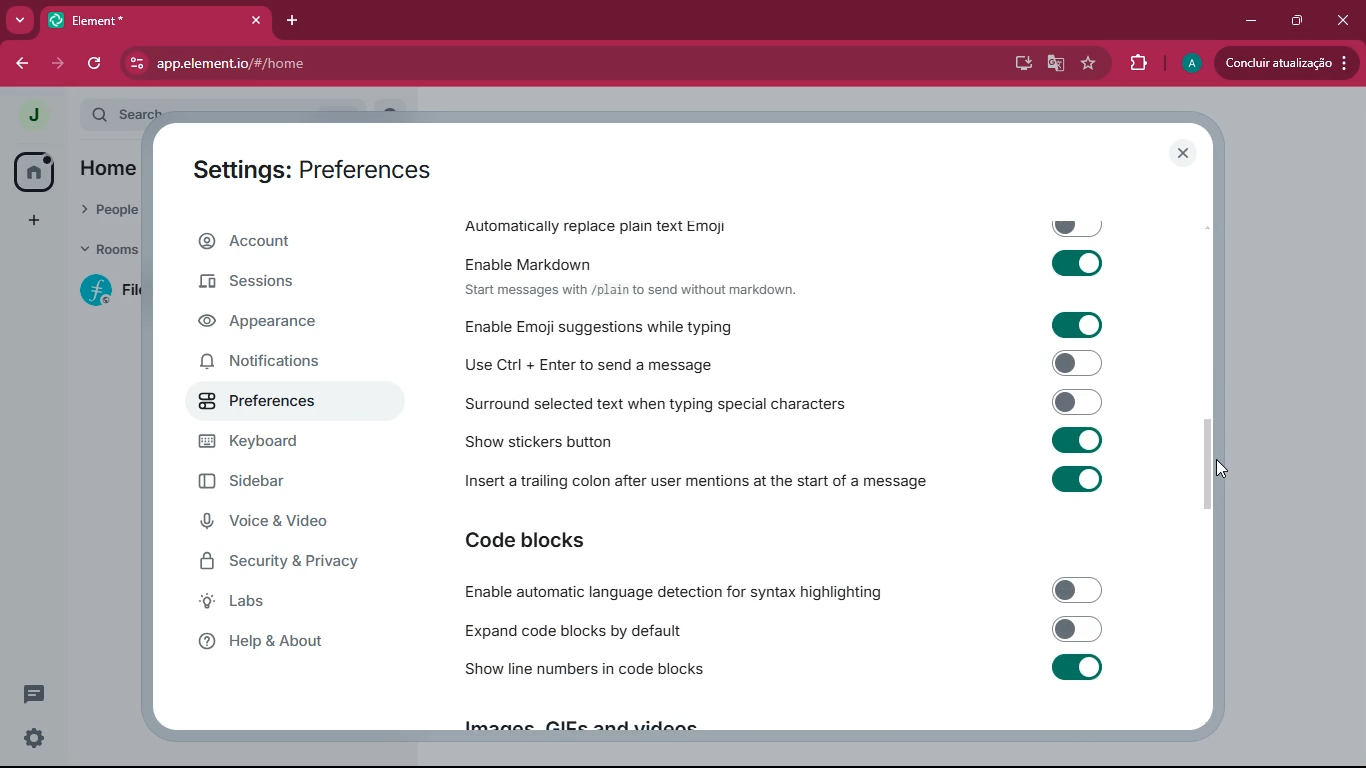  What do you see at coordinates (293, 521) in the screenshot?
I see `voice & video` at bounding box center [293, 521].